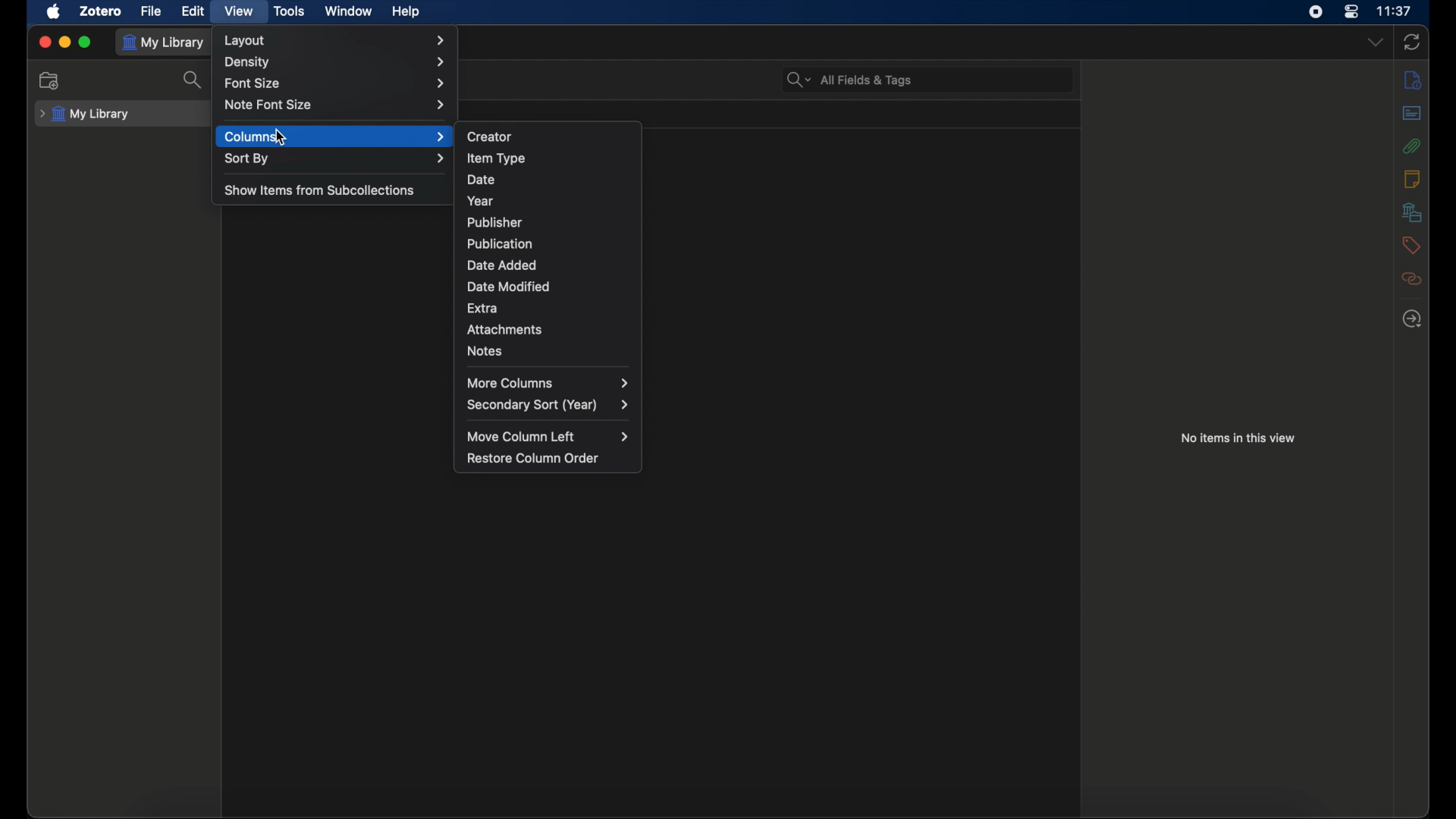 The width and height of the screenshot is (1456, 819). I want to click on abstract, so click(1411, 112).